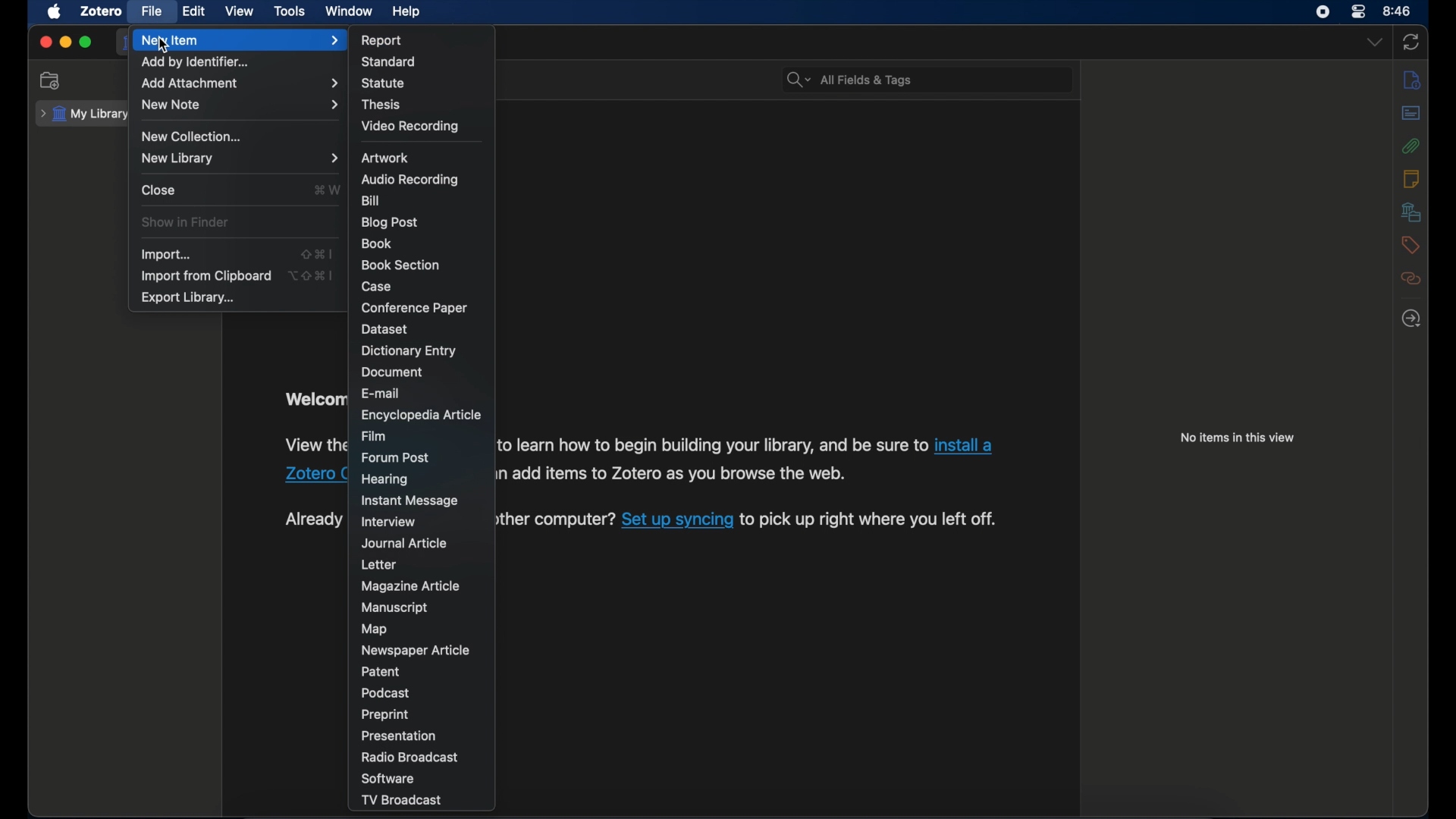  What do you see at coordinates (86, 42) in the screenshot?
I see `maximize` at bounding box center [86, 42].